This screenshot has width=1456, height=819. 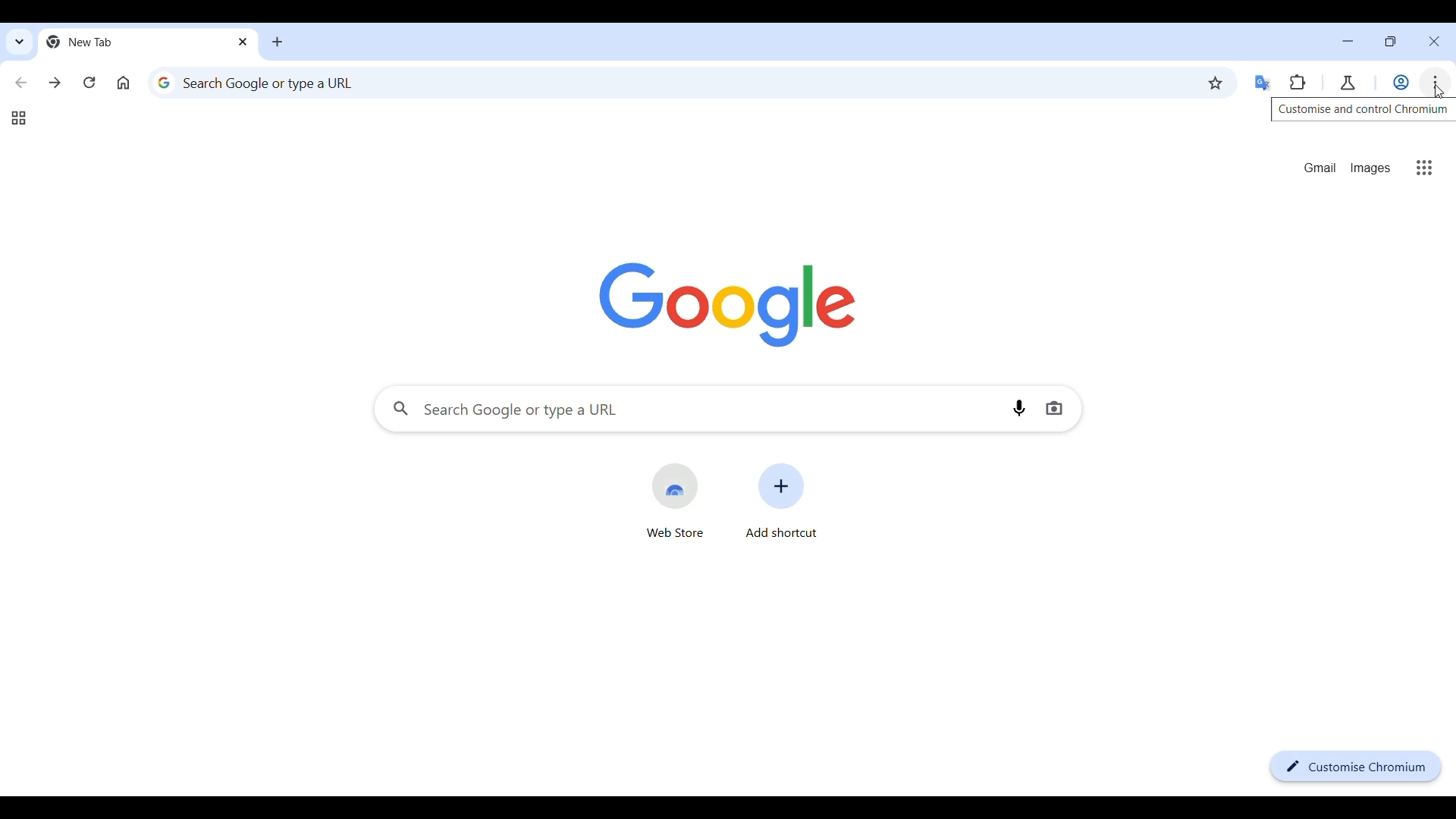 What do you see at coordinates (1356, 767) in the screenshot?
I see `Customize Chromium ` at bounding box center [1356, 767].